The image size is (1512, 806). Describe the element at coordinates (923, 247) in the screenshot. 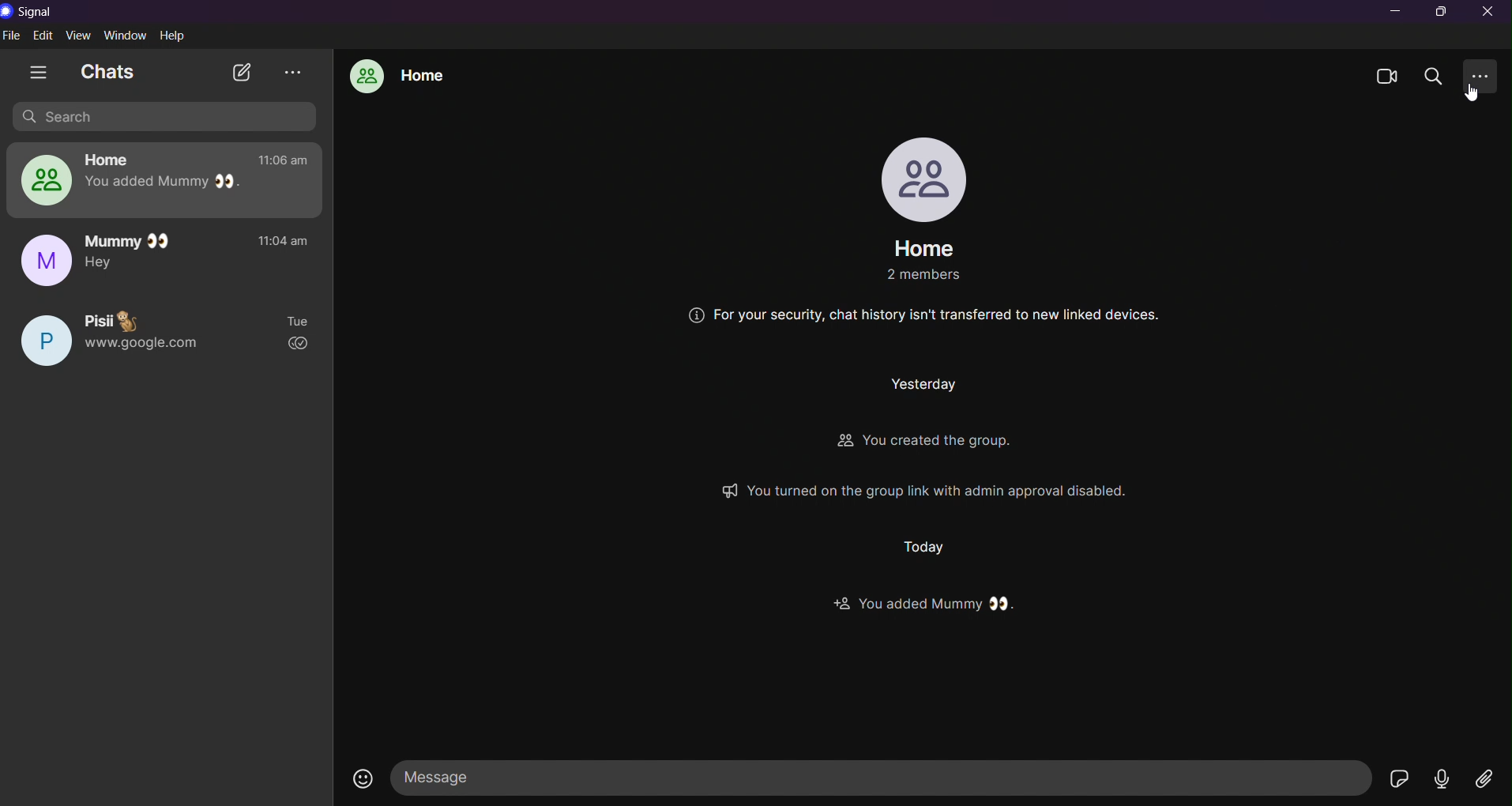

I see `group name` at that location.